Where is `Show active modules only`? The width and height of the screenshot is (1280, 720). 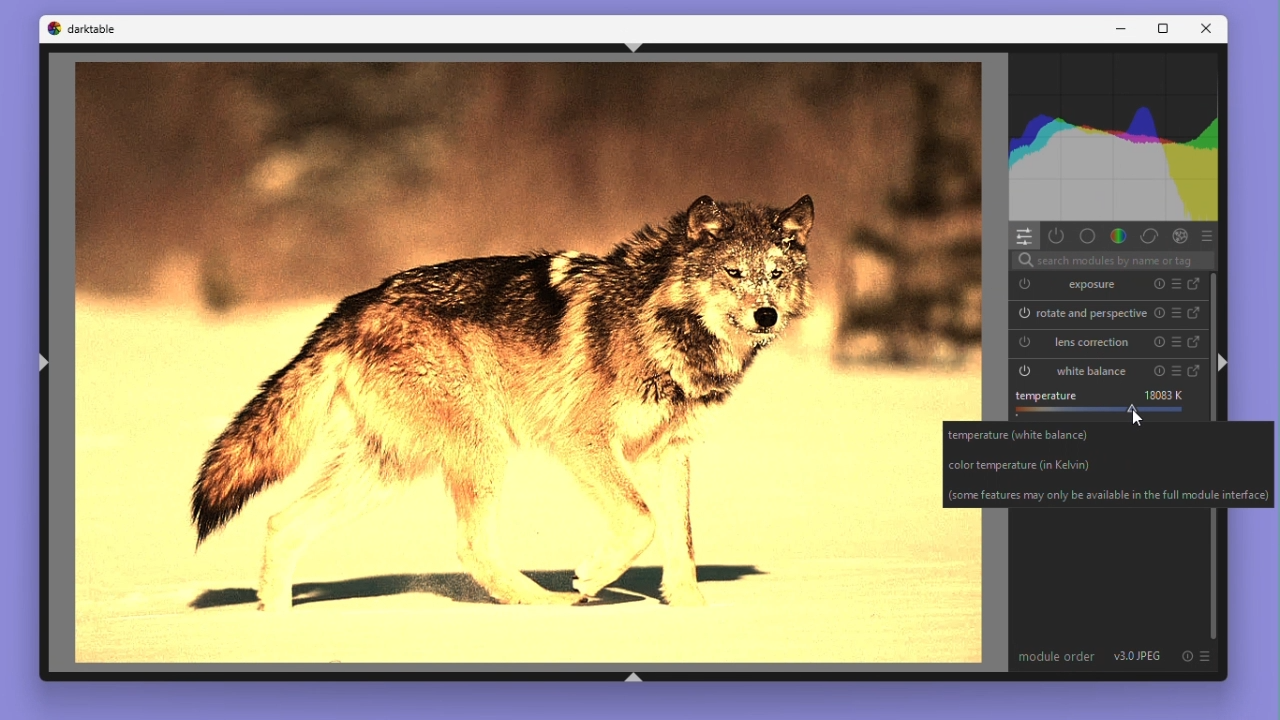 Show active modules only is located at coordinates (1058, 235).